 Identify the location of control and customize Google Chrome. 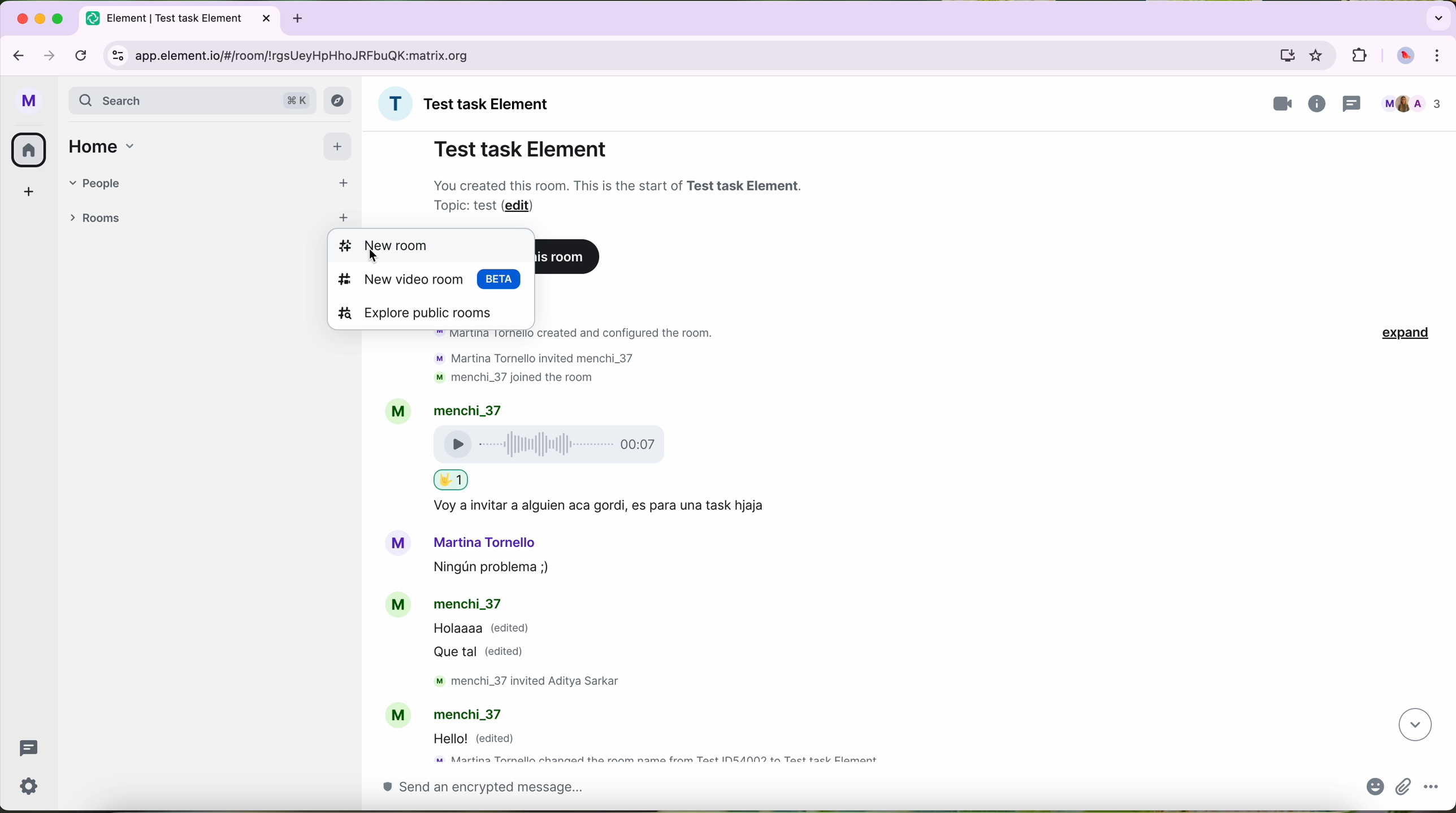
(1443, 56).